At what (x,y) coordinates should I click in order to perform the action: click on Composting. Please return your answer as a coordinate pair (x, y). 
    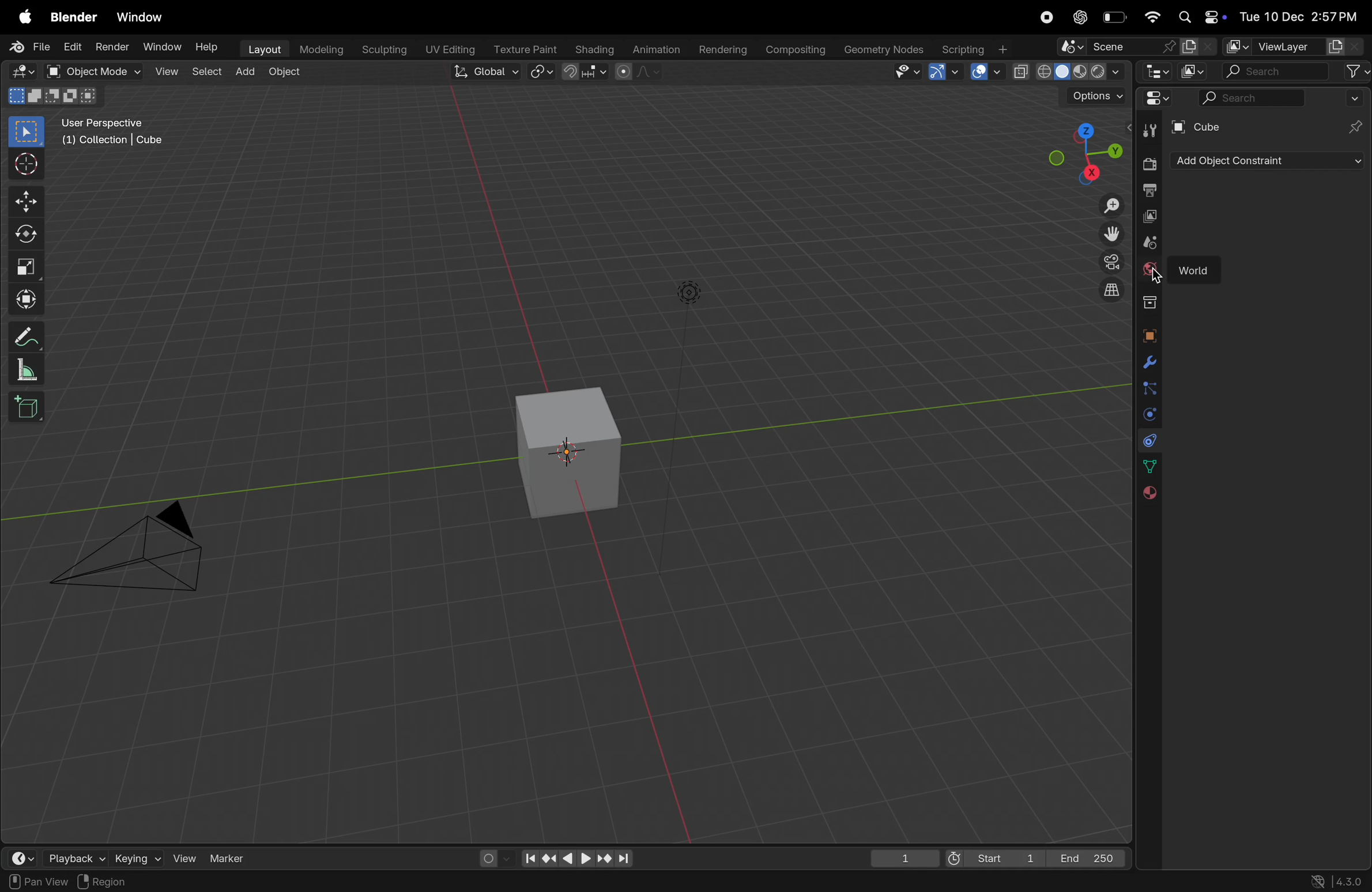
    Looking at the image, I should click on (798, 51).